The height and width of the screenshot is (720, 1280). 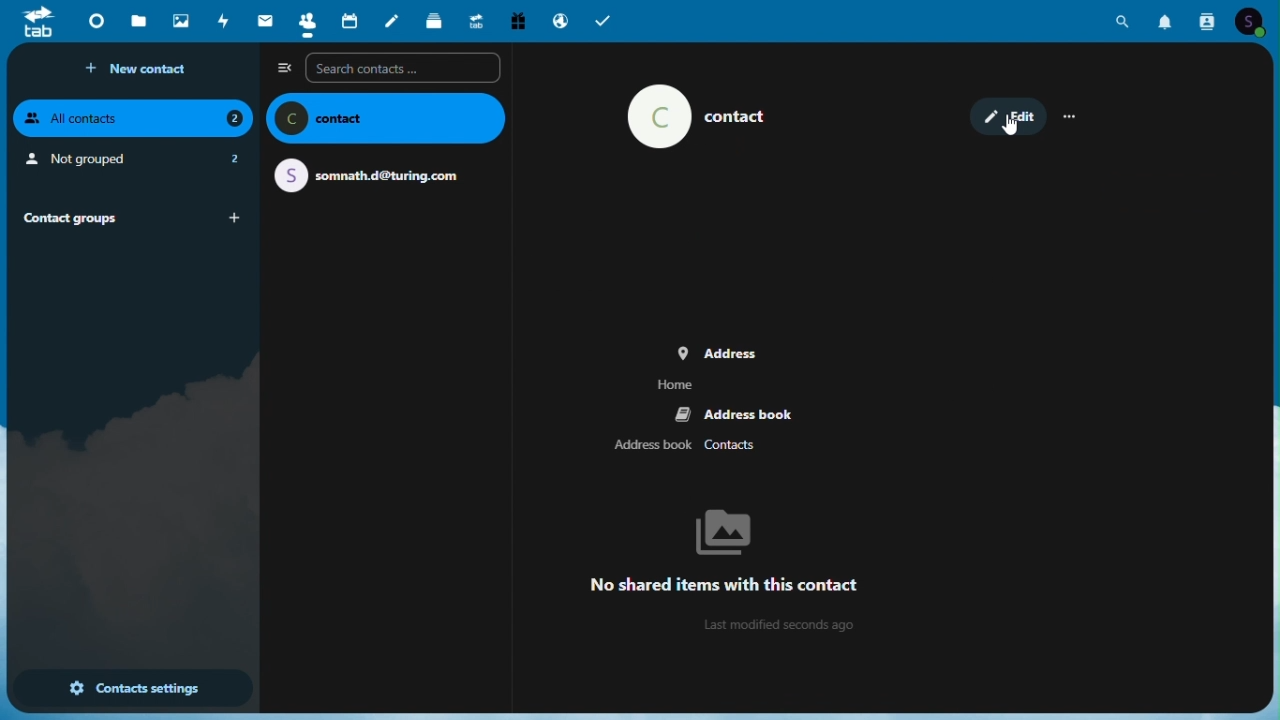 I want to click on home, so click(x=687, y=387).